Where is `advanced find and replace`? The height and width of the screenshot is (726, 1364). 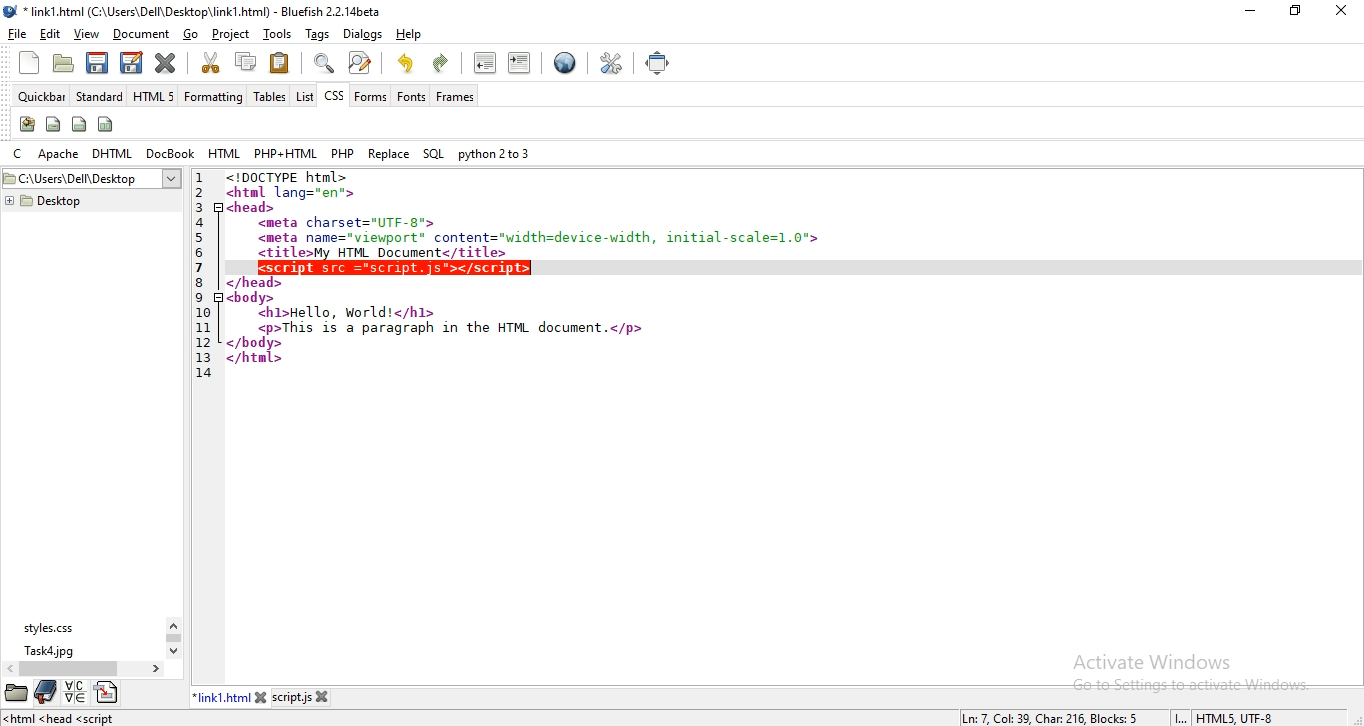 advanced find and replace is located at coordinates (360, 62).